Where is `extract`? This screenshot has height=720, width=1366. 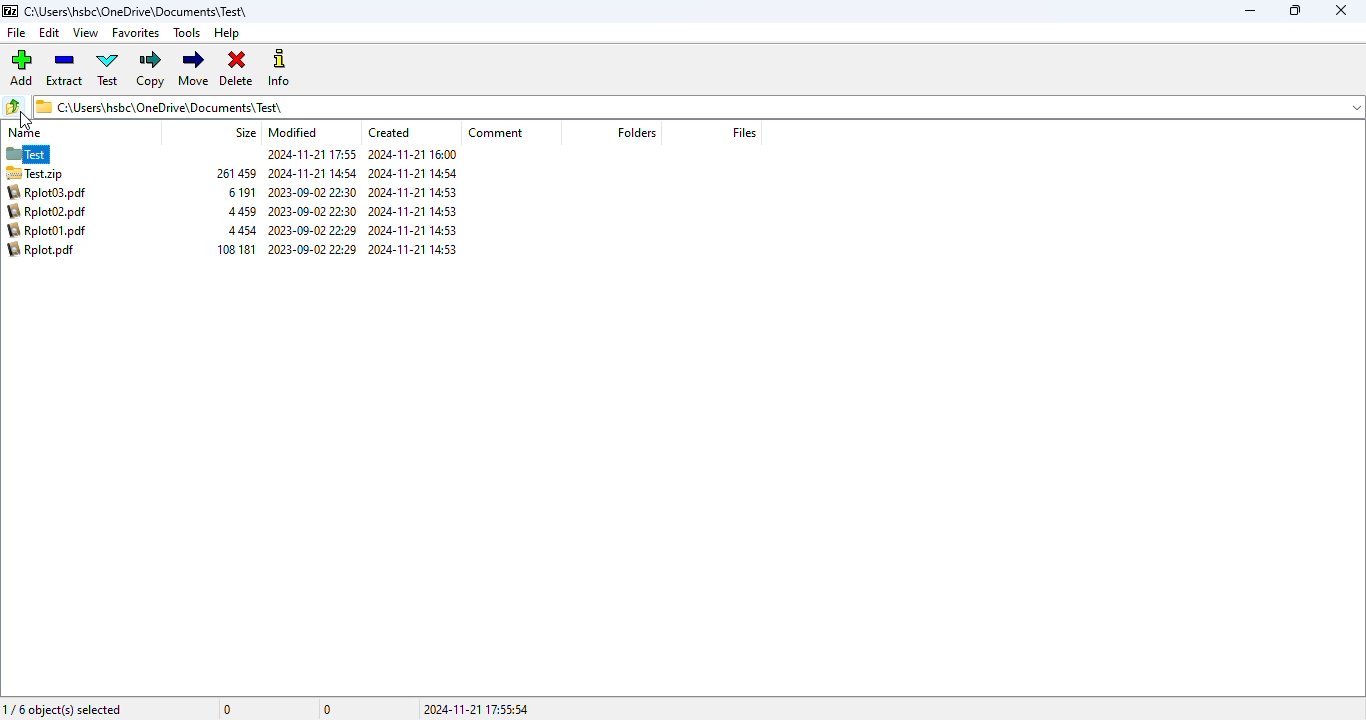
extract is located at coordinates (64, 69).